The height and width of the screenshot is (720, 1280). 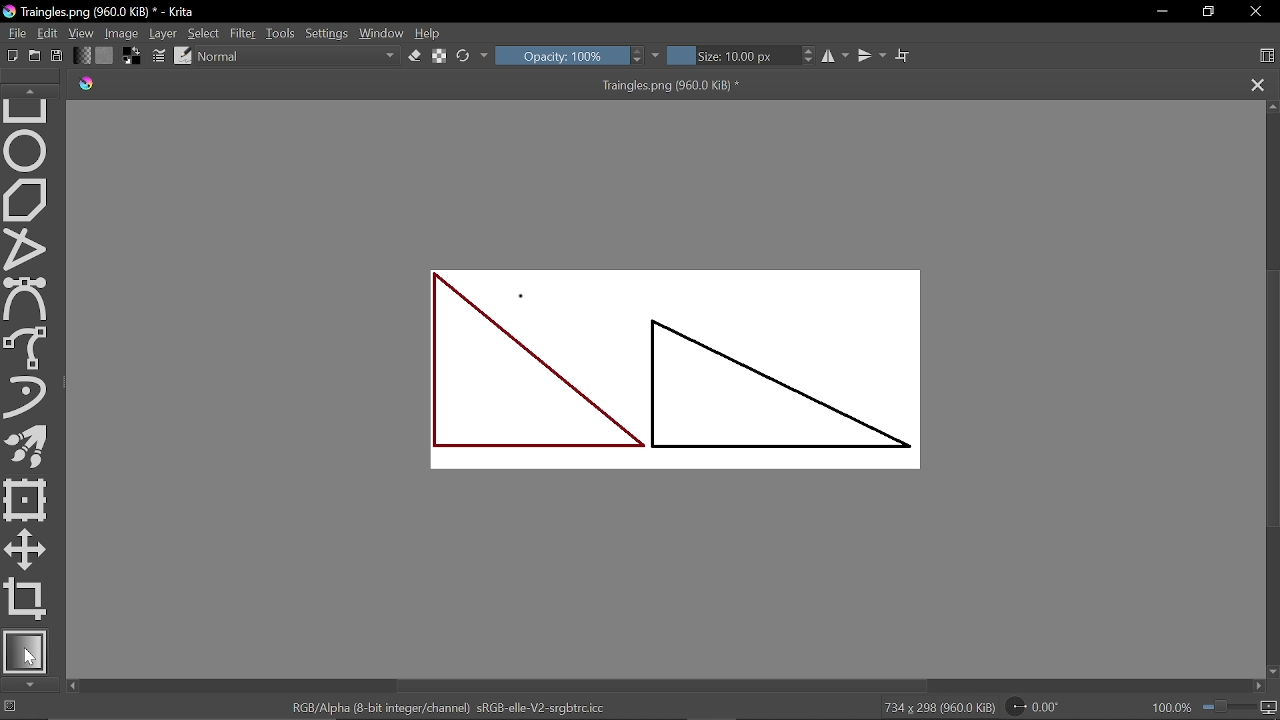 I want to click on Rotate, so click(x=1038, y=706).